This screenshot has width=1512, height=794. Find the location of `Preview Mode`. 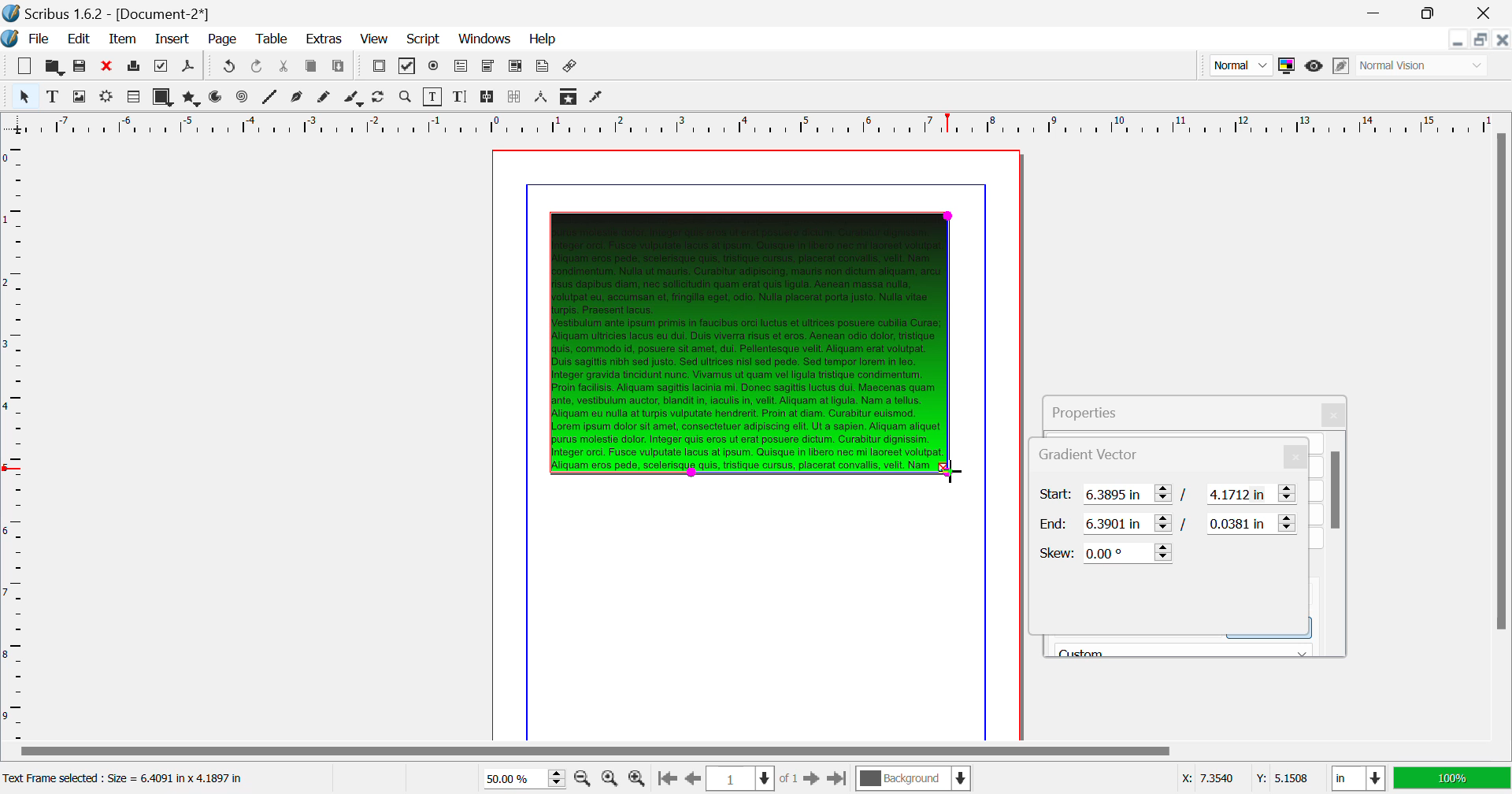

Preview Mode is located at coordinates (1240, 65).